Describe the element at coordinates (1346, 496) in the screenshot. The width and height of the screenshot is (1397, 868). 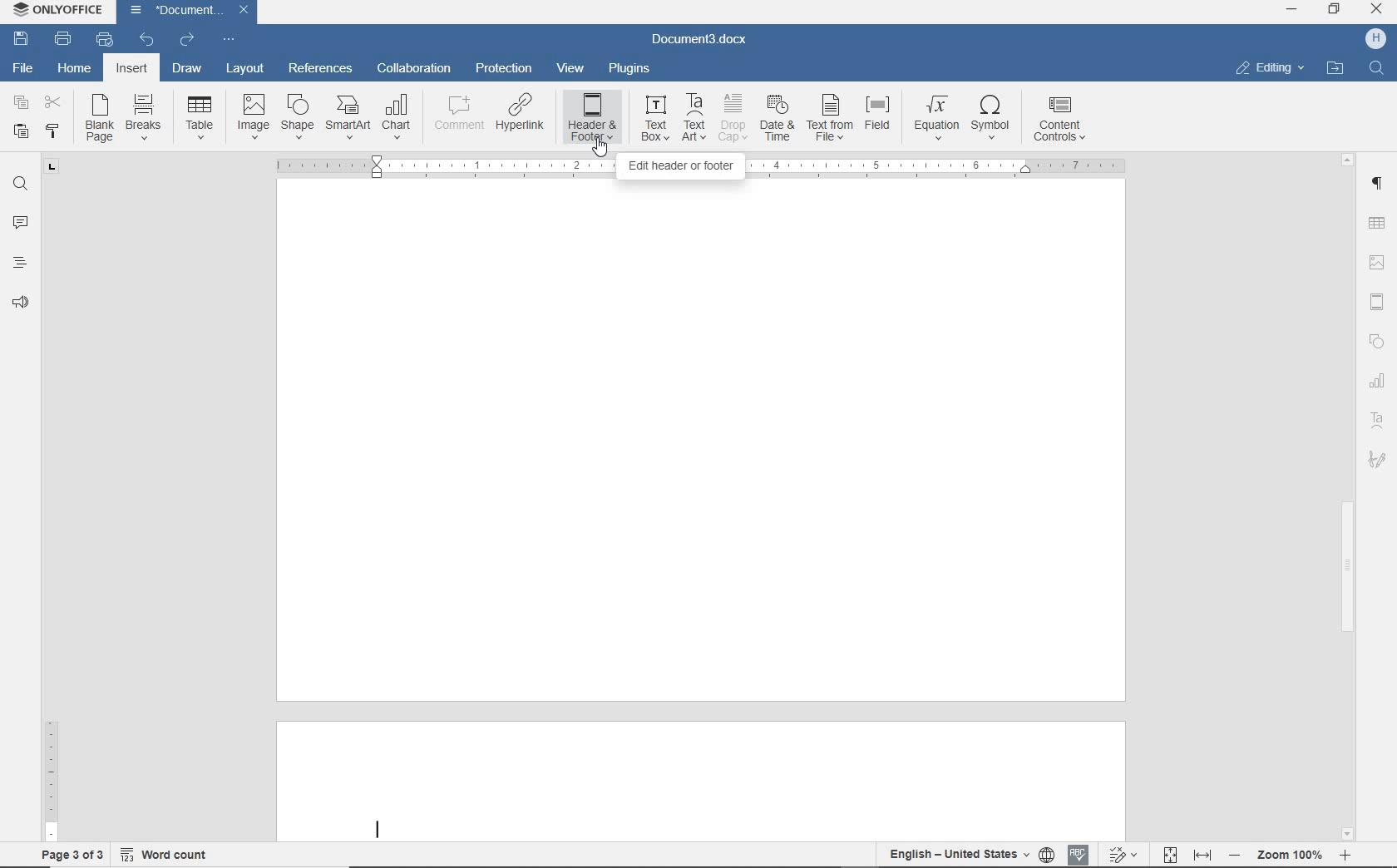
I see `SCROLLBAR` at that location.